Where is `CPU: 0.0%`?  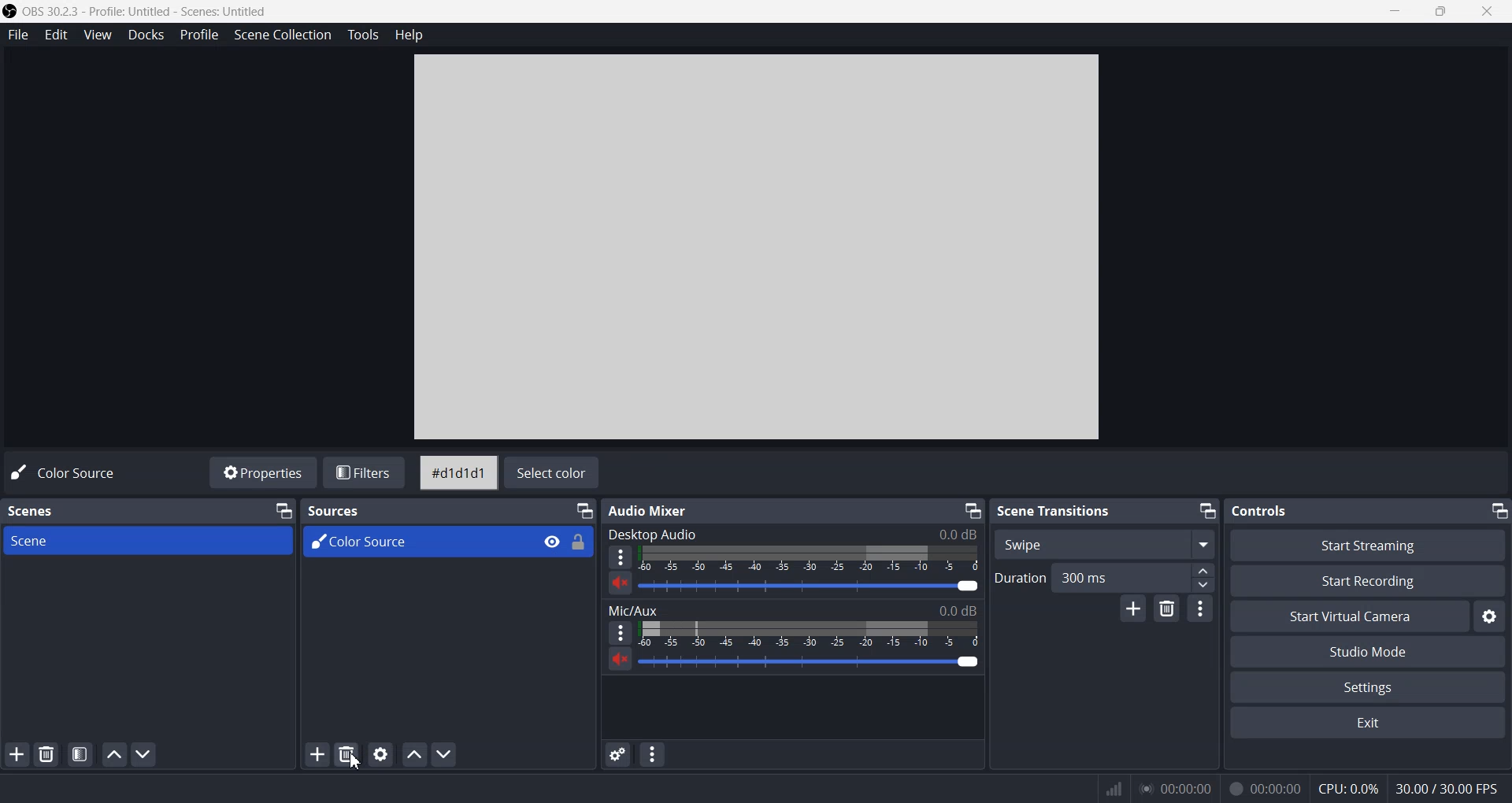
CPU: 0.0% is located at coordinates (1347, 787).